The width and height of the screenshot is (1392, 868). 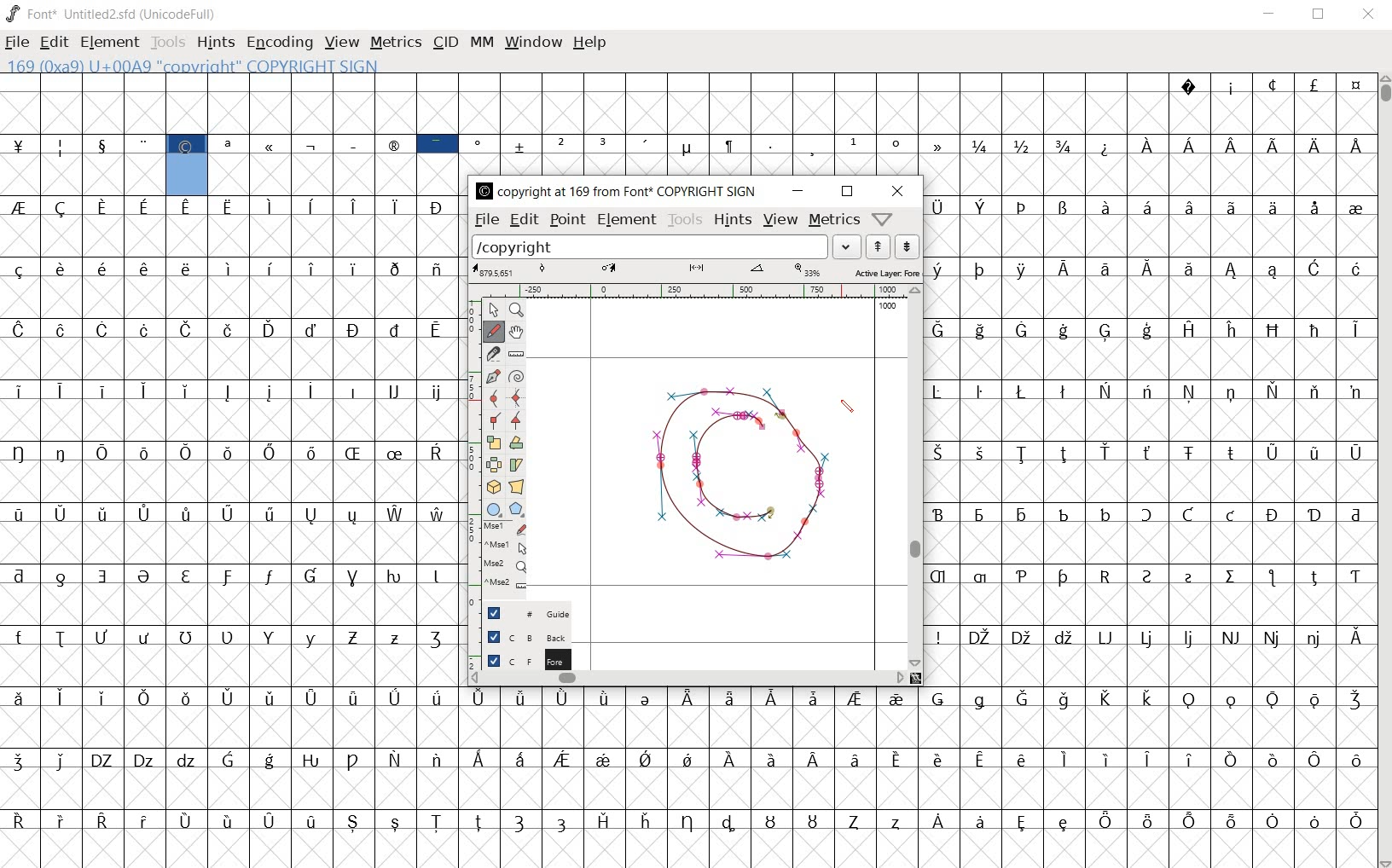 I want to click on ruler, so click(x=694, y=291).